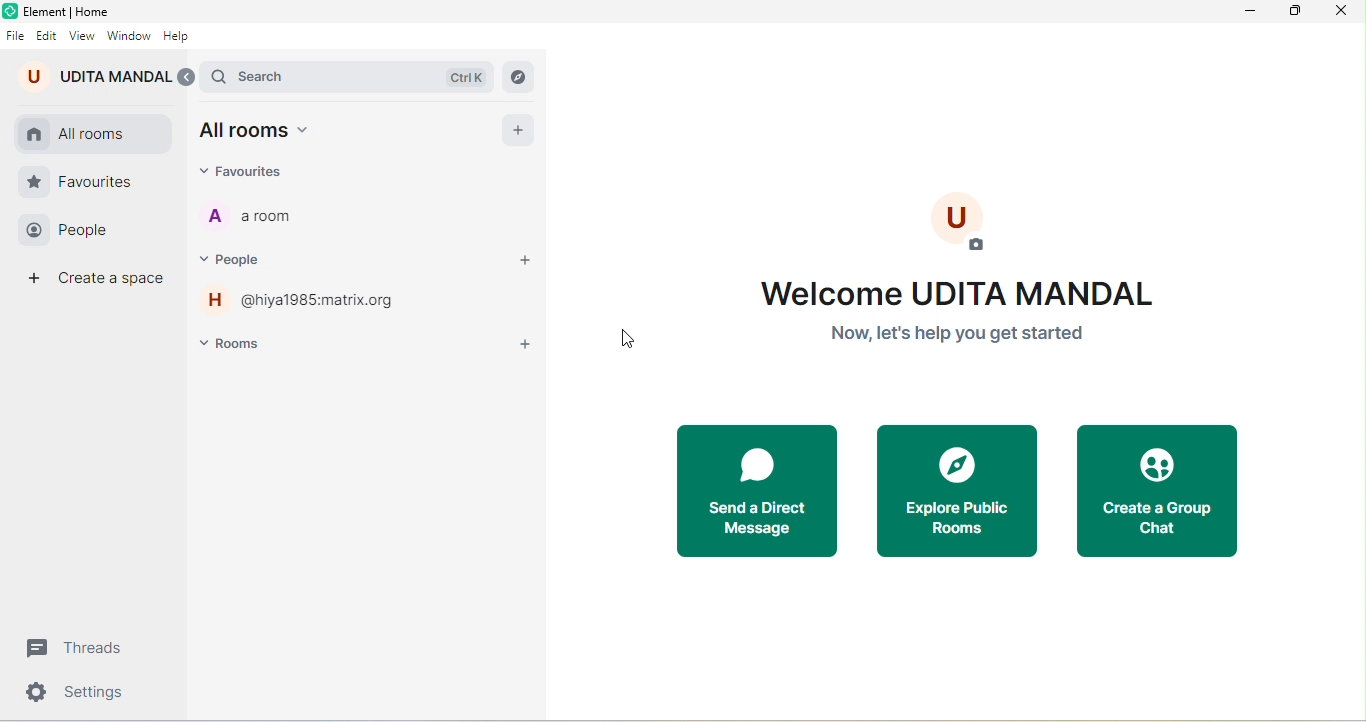 The width and height of the screenshot is (1366, 722). What do you see at coordinates (82, 182) in the screenshot?
I see `favorites` at bounding box center [82, 182].